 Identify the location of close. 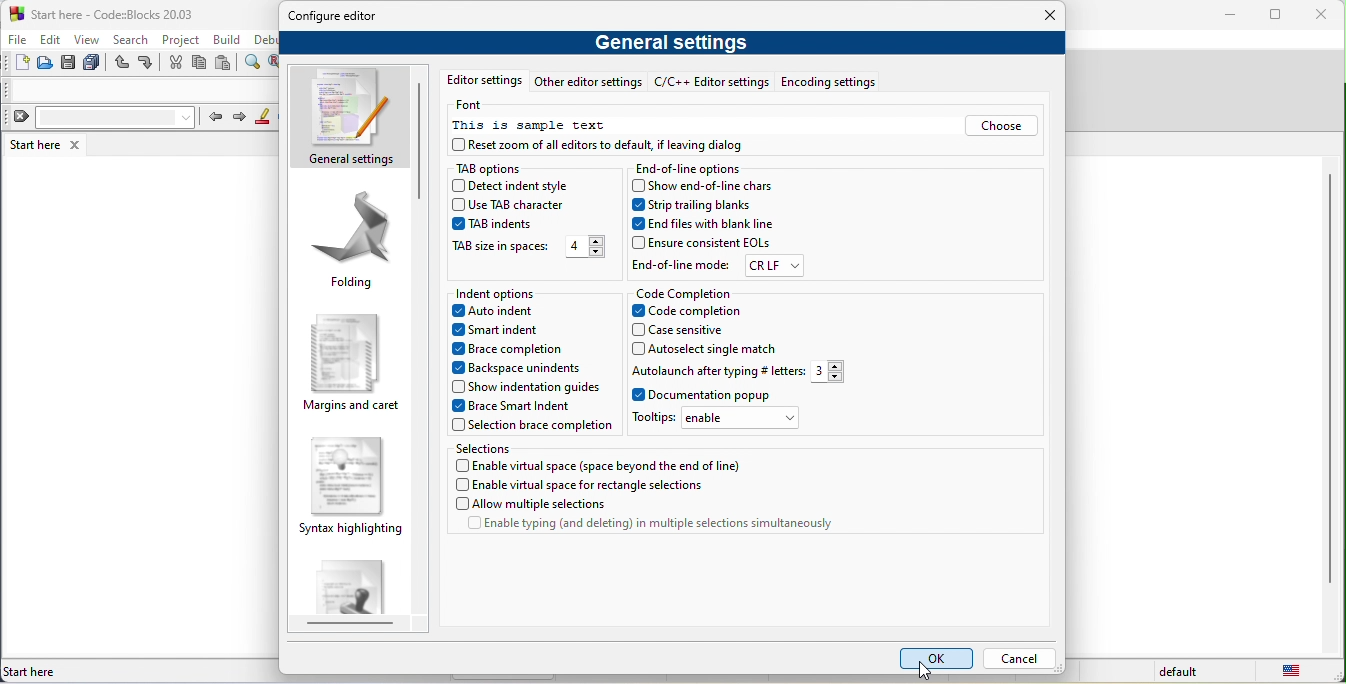
(74, 146).